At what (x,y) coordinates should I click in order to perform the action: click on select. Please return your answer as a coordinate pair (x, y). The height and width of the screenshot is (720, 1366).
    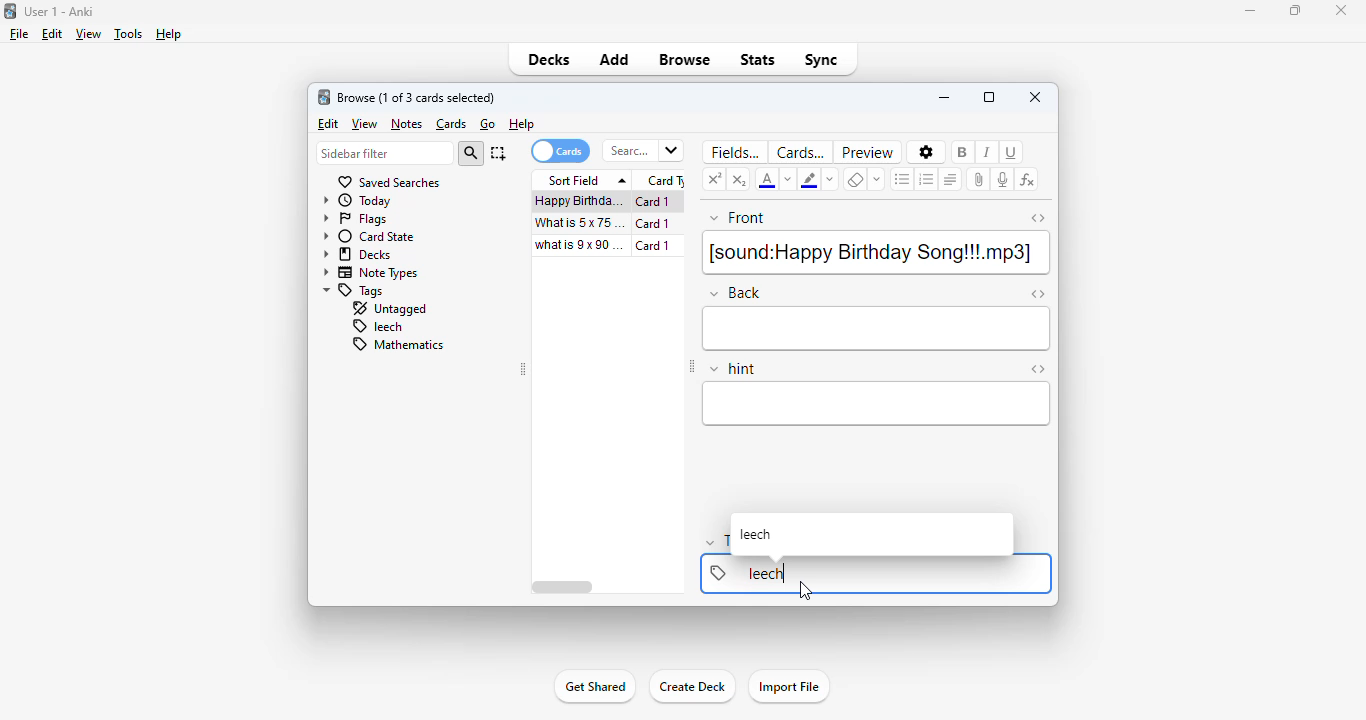
    Looking at the image, I should click on (498, 153).